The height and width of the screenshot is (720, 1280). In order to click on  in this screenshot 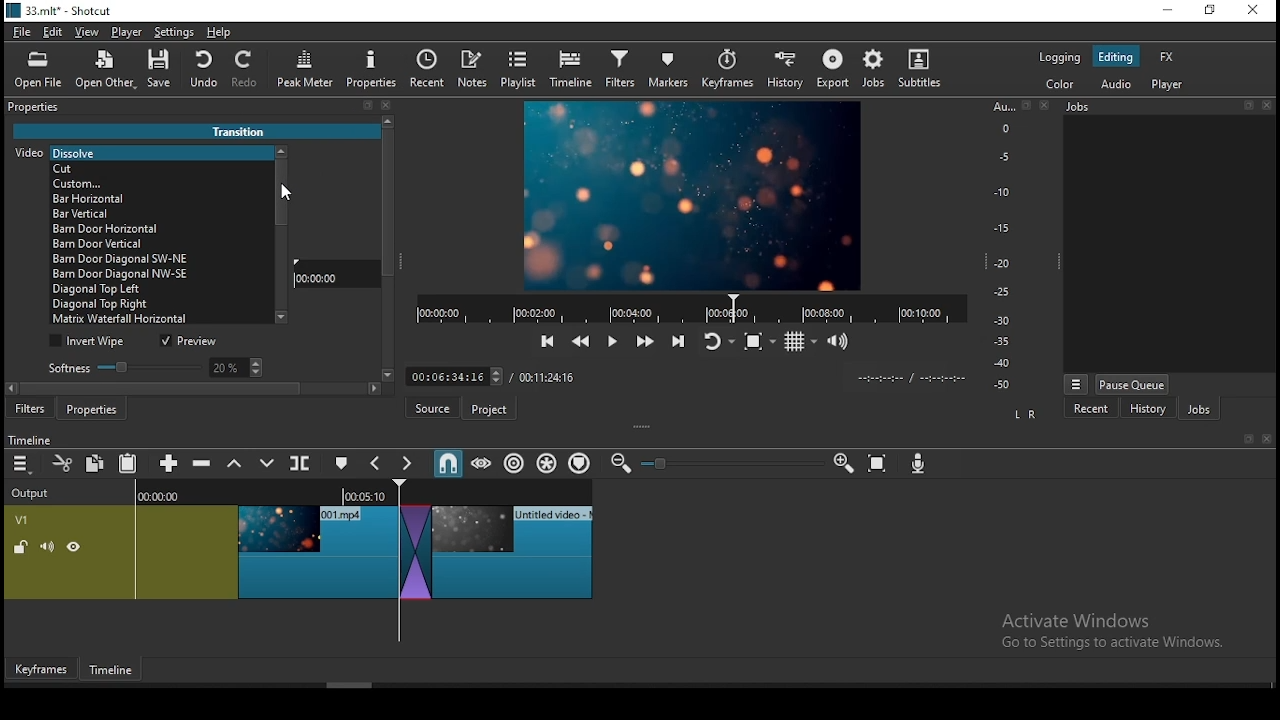, I will do `click(1250, 106)`.